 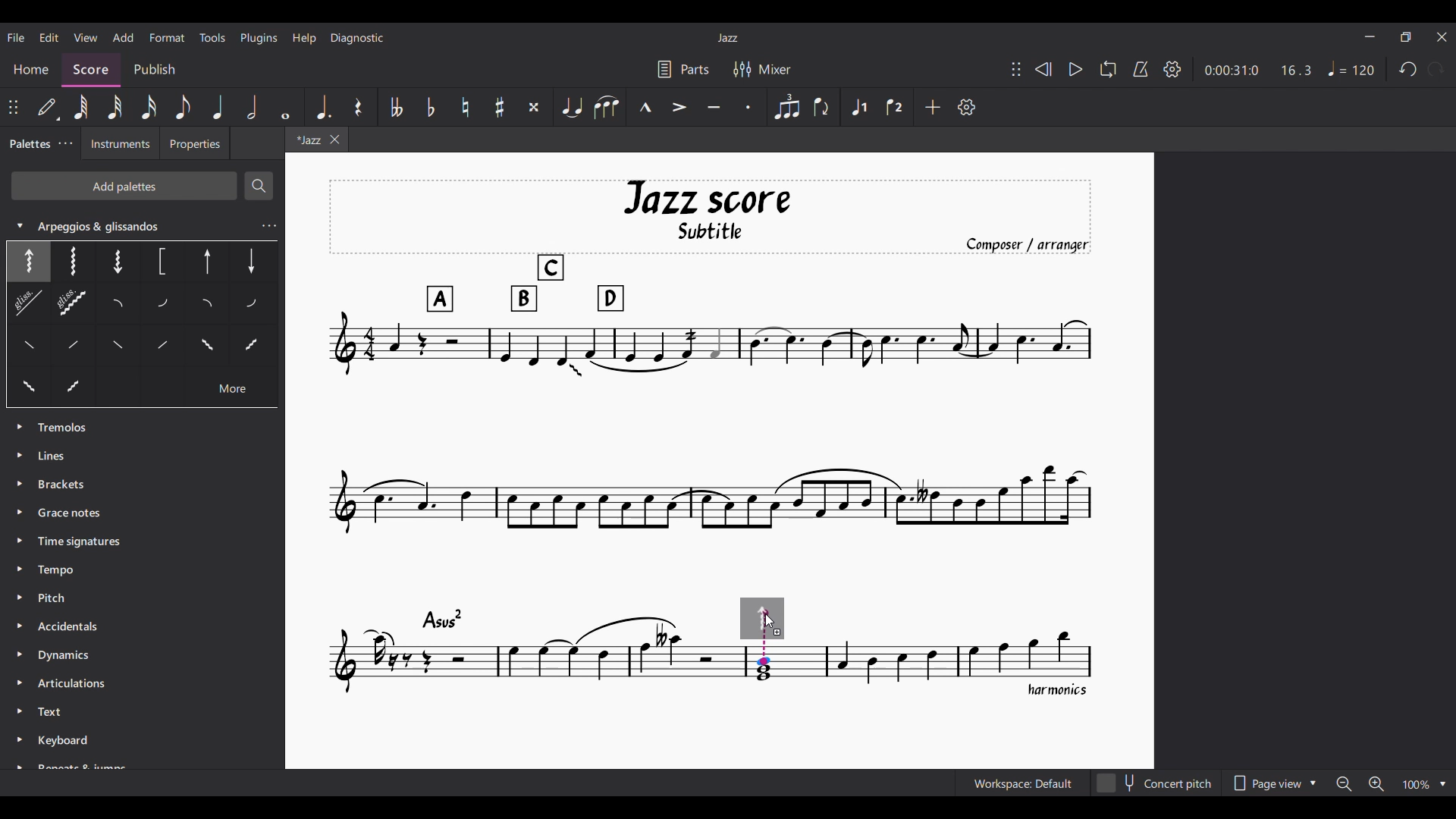 What do you see at coordinates (777, 632) in the screenshot?
I see `Indicates addition` at bounding box center [777, 632].